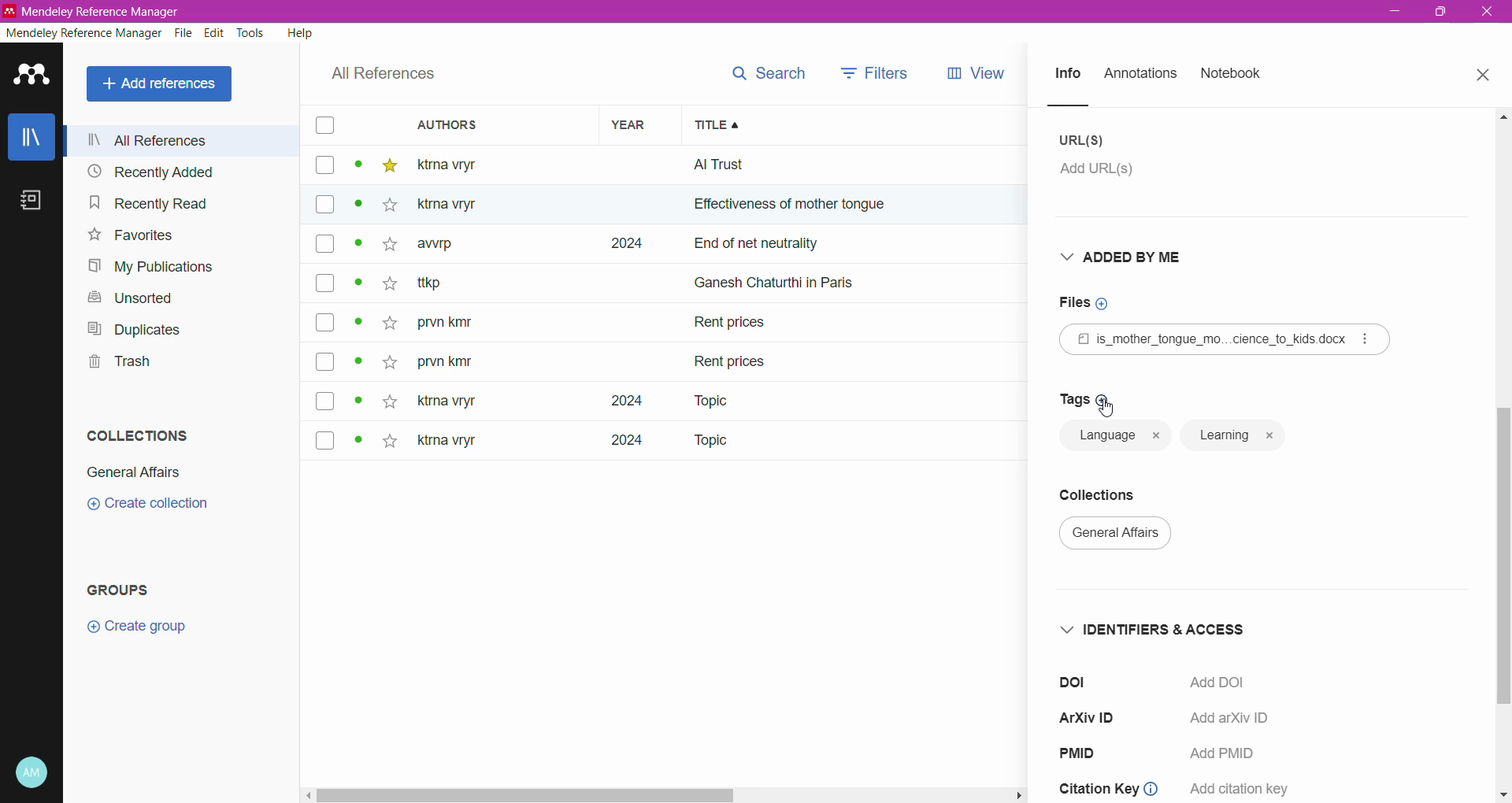 This screenshot has height=803, width=1512. Describe the element at coordinates (633, 124) in the screenshot. I see `Year` at that location.